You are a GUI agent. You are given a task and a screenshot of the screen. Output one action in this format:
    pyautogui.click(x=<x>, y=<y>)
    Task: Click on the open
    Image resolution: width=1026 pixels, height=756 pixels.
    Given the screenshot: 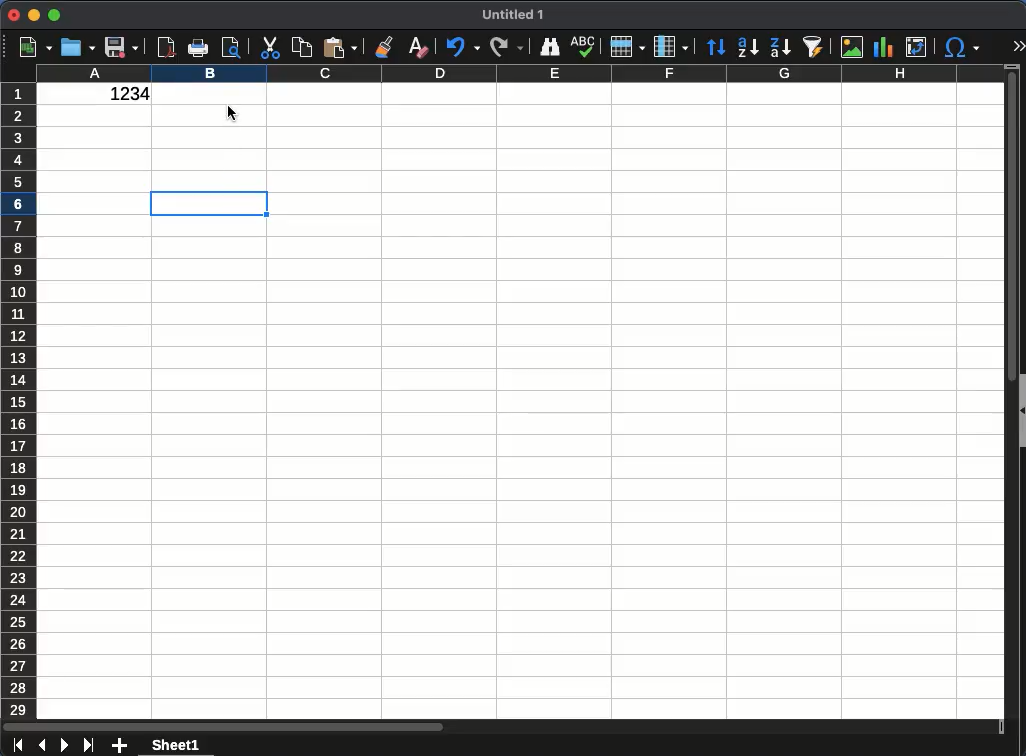 What is the action you would take?
    pyautogui.click(x=78, y=47)
    